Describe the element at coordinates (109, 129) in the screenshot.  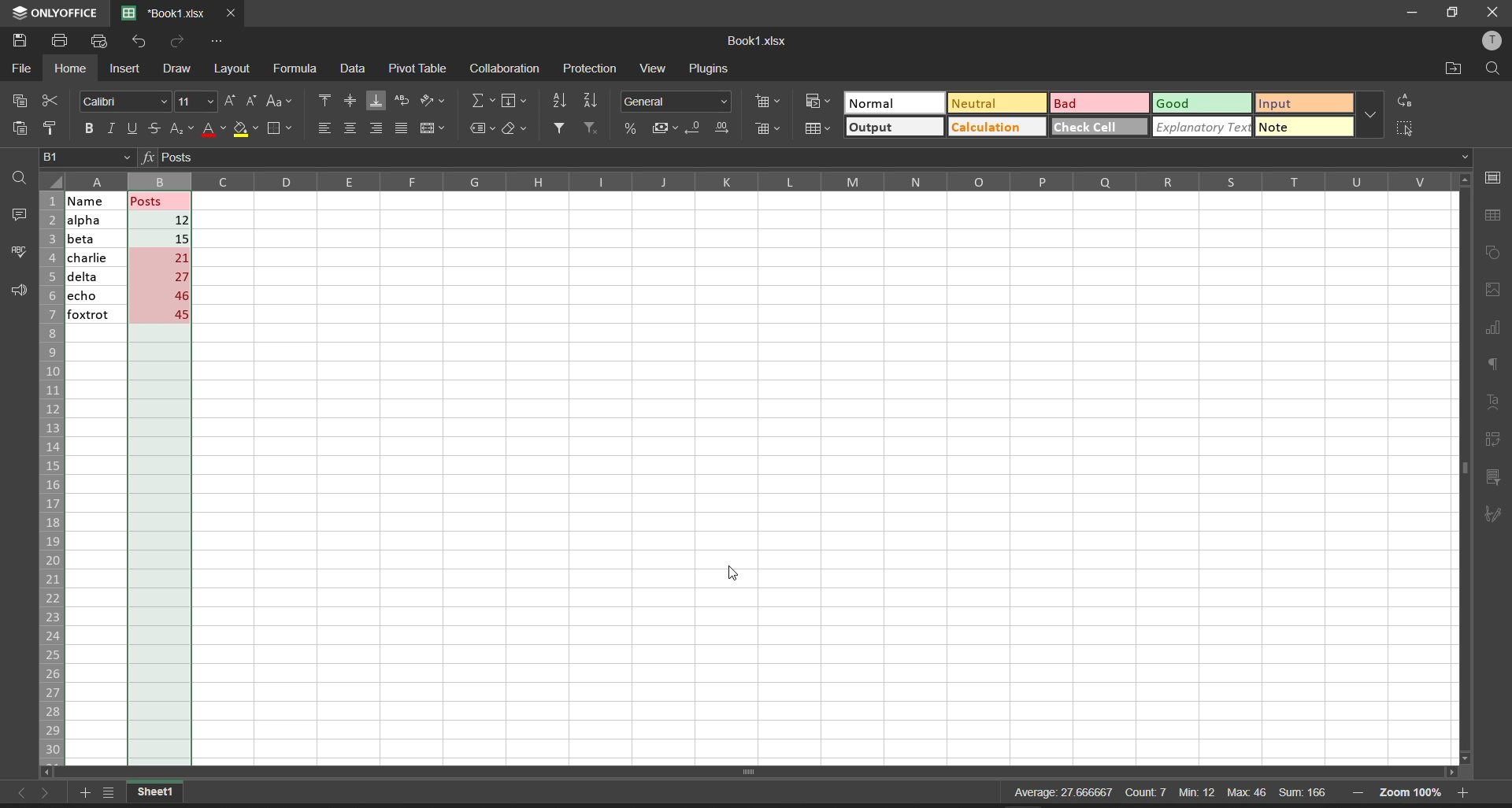
I see `italic` at that location.